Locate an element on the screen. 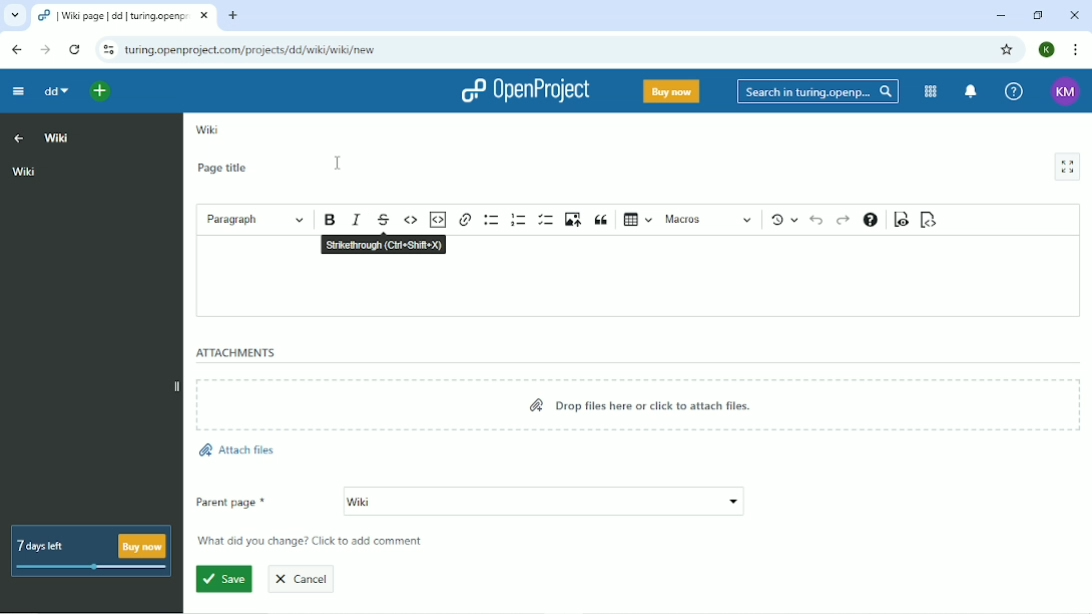  Strikethrough is located at coordinates (382, 245).